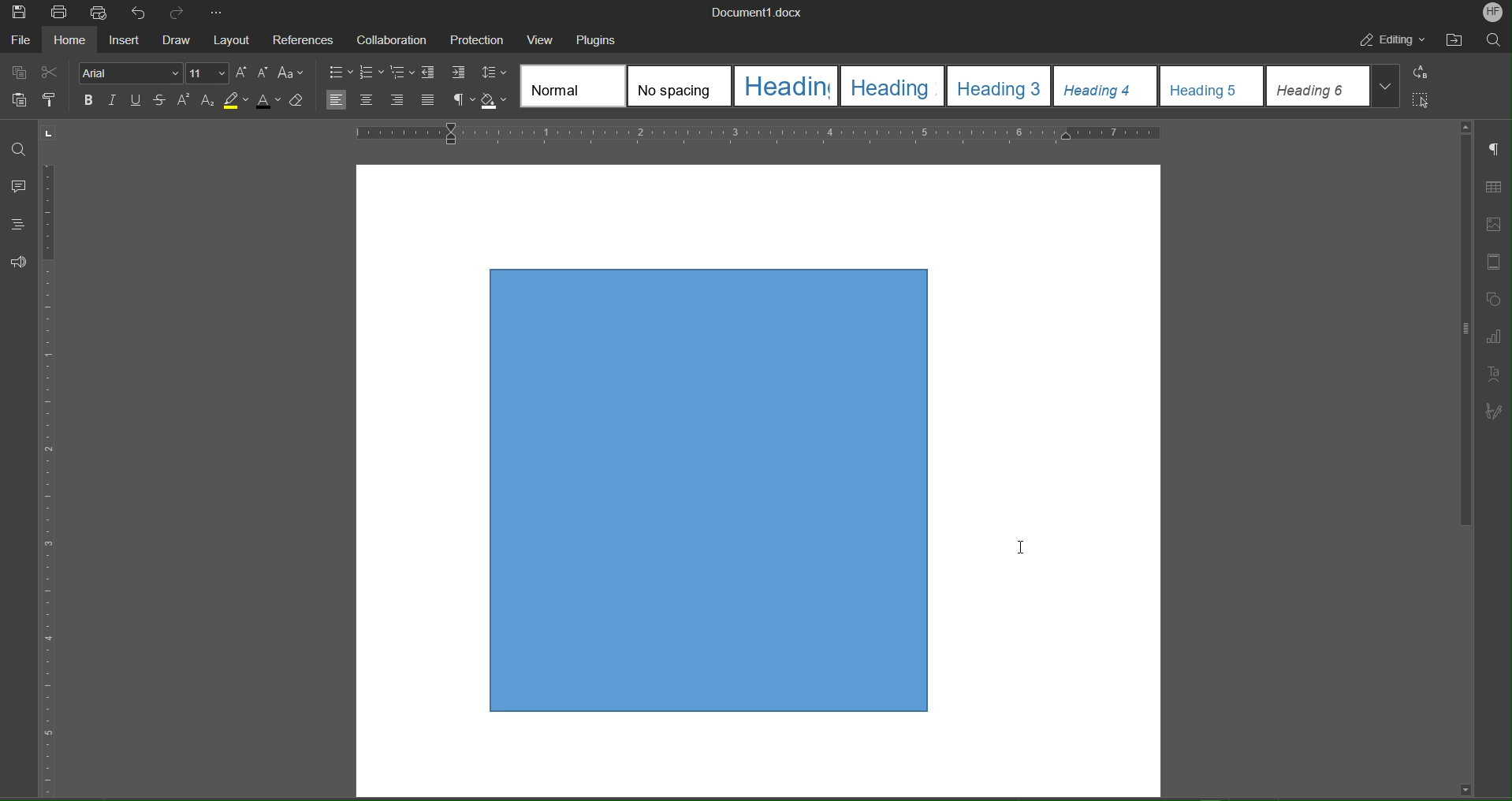 This screenshot has width=1512, height=801. I want to click on Strikethrough, so click(162, 101).